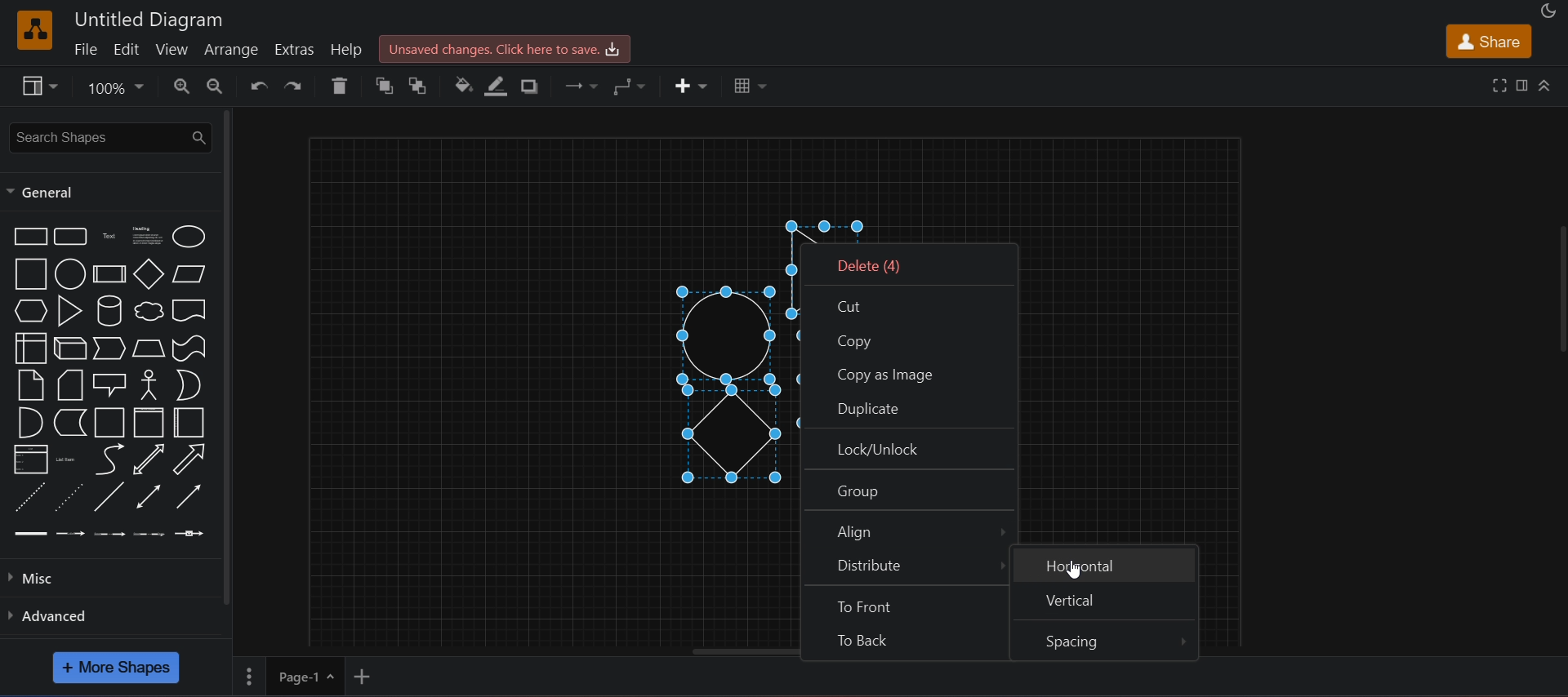  Describe the element at coordinates (146, 348) in the screenshot. I see `trapezoid` at that location.